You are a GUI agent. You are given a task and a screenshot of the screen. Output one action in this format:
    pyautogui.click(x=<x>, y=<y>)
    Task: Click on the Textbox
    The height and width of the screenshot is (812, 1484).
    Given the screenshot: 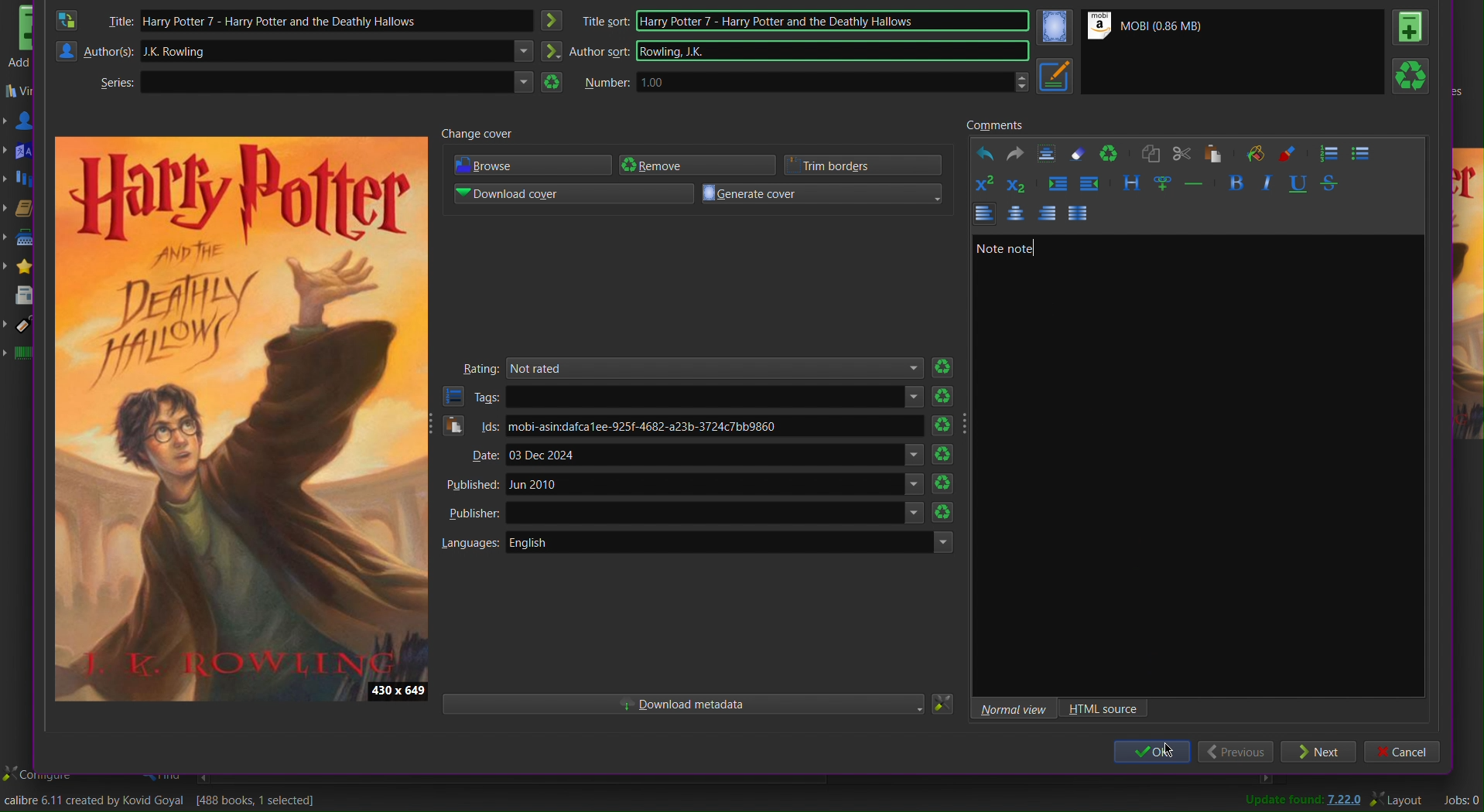 What is the action you would take?
    pyautogui.click(x=1198, y=475)
    